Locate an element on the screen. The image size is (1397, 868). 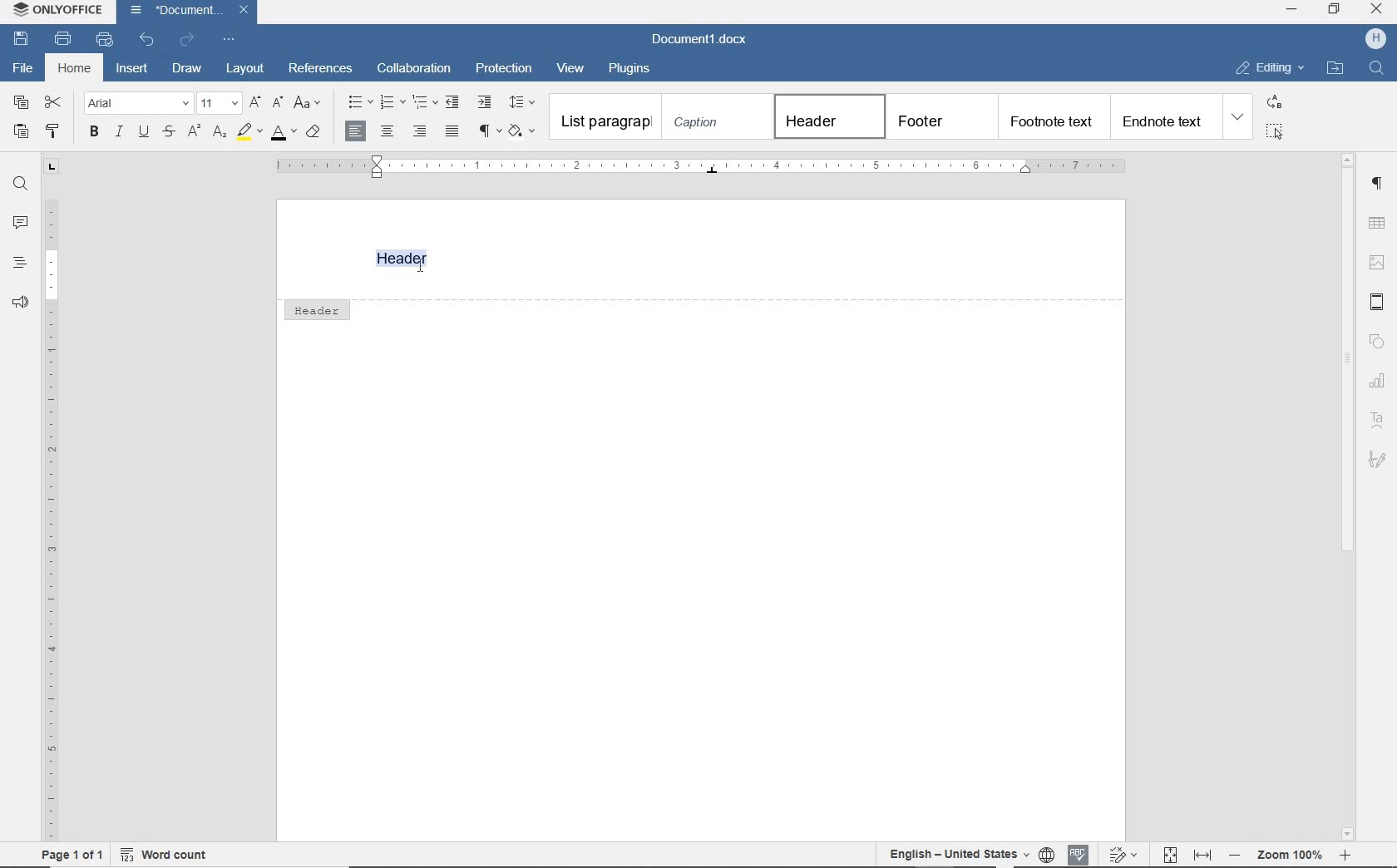
EXPAND is located at coordinates (1239, 118).